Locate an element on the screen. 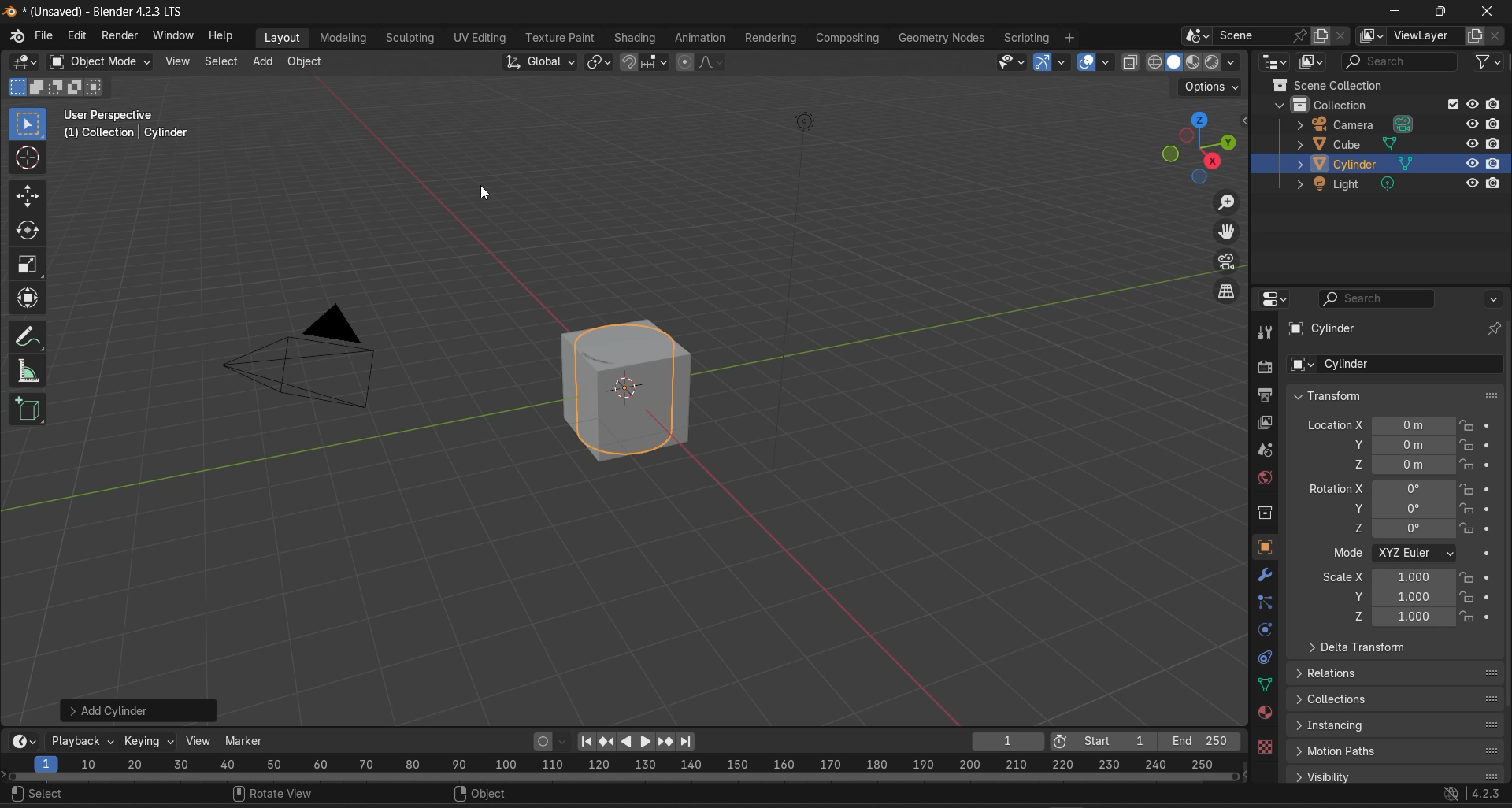  rotation z is located at coordinates (1404, 528).